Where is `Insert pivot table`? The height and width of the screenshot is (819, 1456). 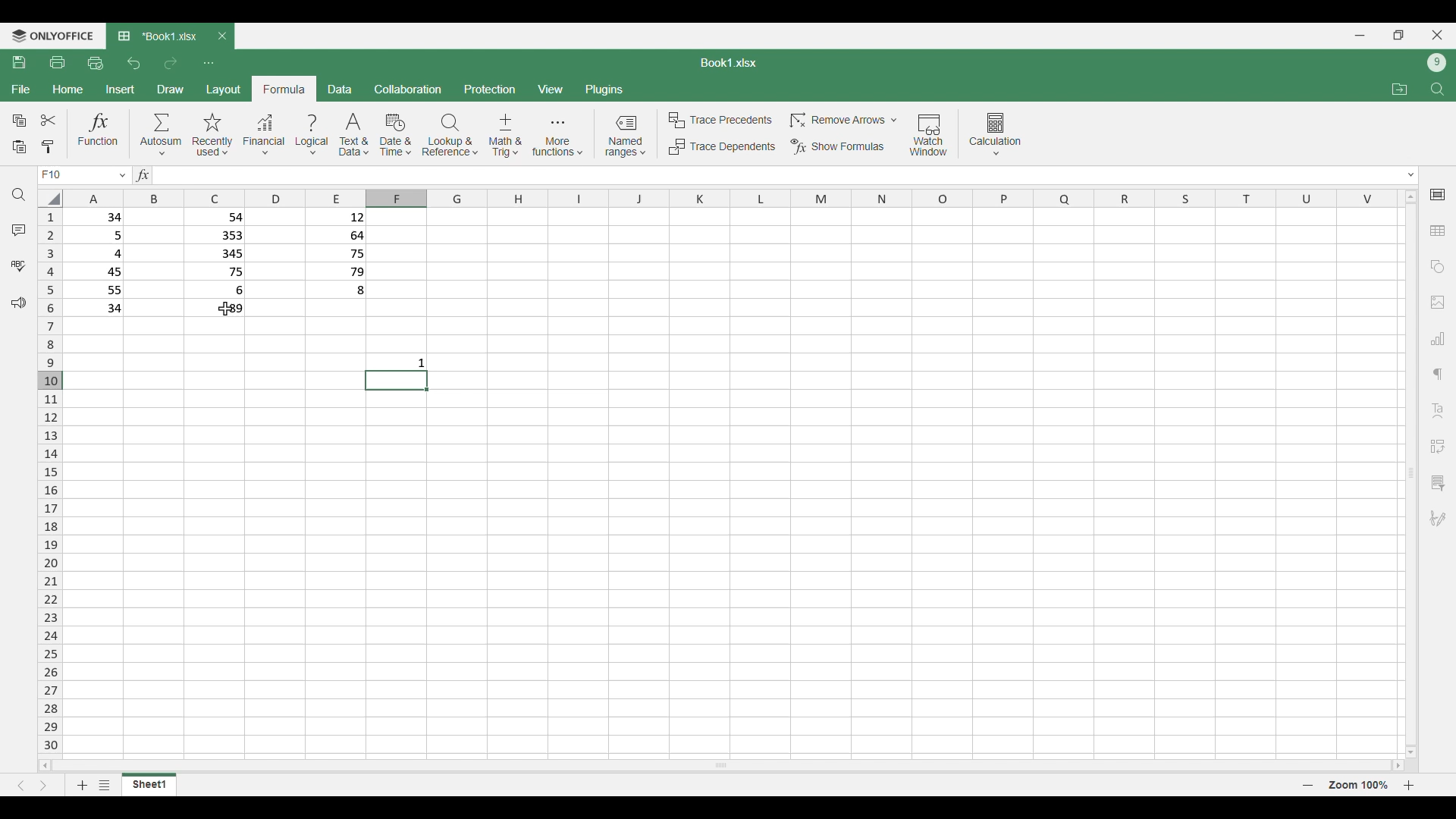
Insert pivot table is located at coordinates (1437, 447).